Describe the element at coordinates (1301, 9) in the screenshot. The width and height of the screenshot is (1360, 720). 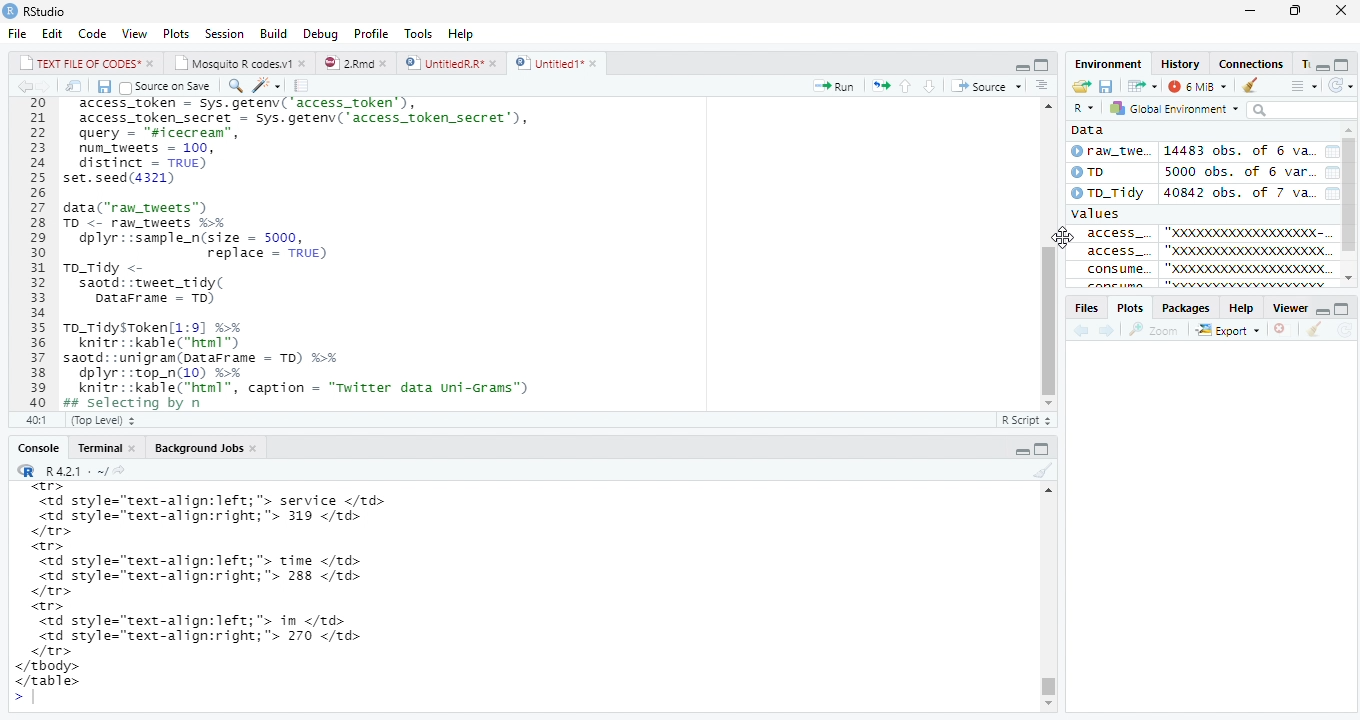
I see `maximize` at that location.